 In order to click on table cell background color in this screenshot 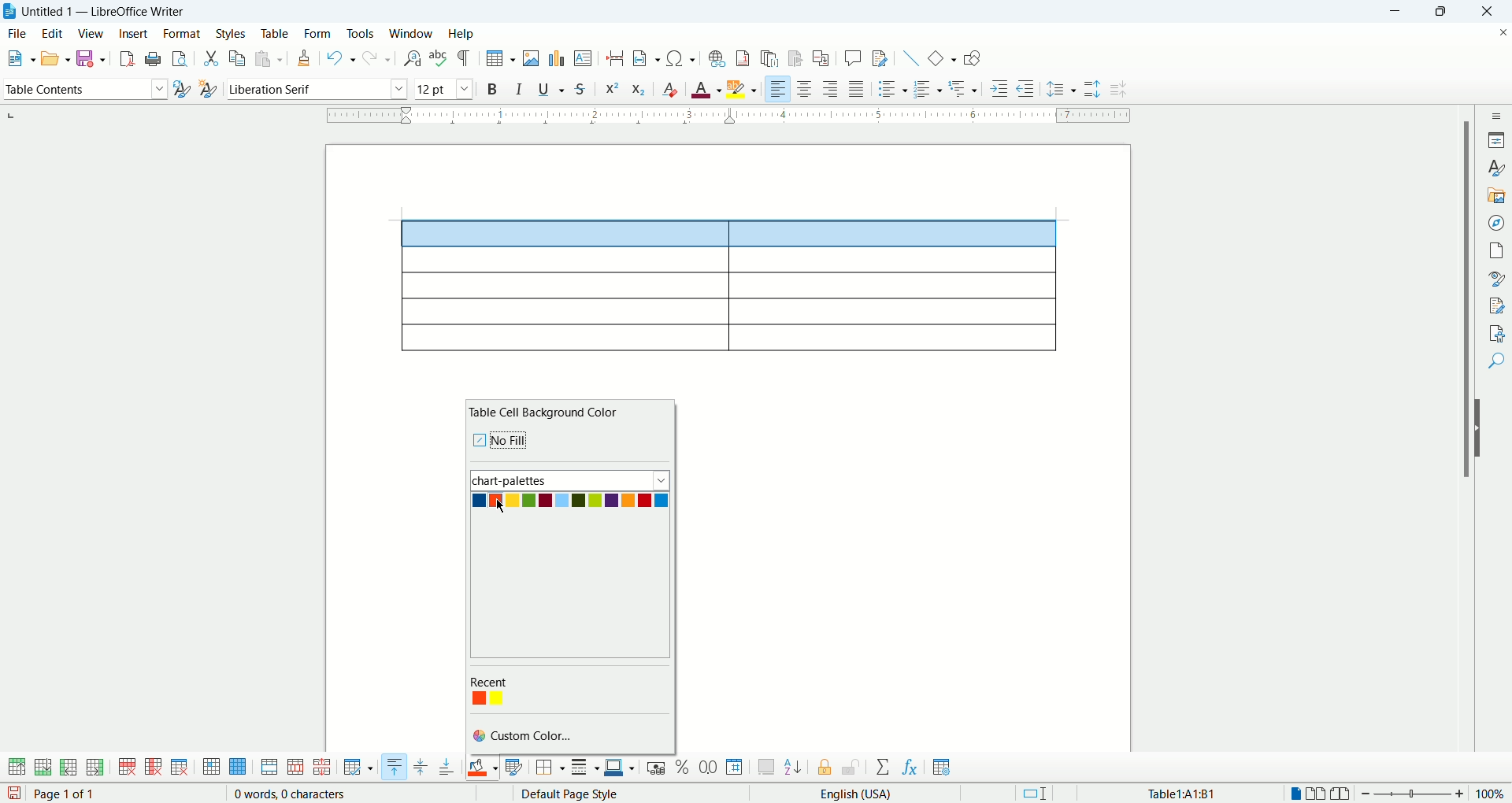, I will do `click(547, 412)`.